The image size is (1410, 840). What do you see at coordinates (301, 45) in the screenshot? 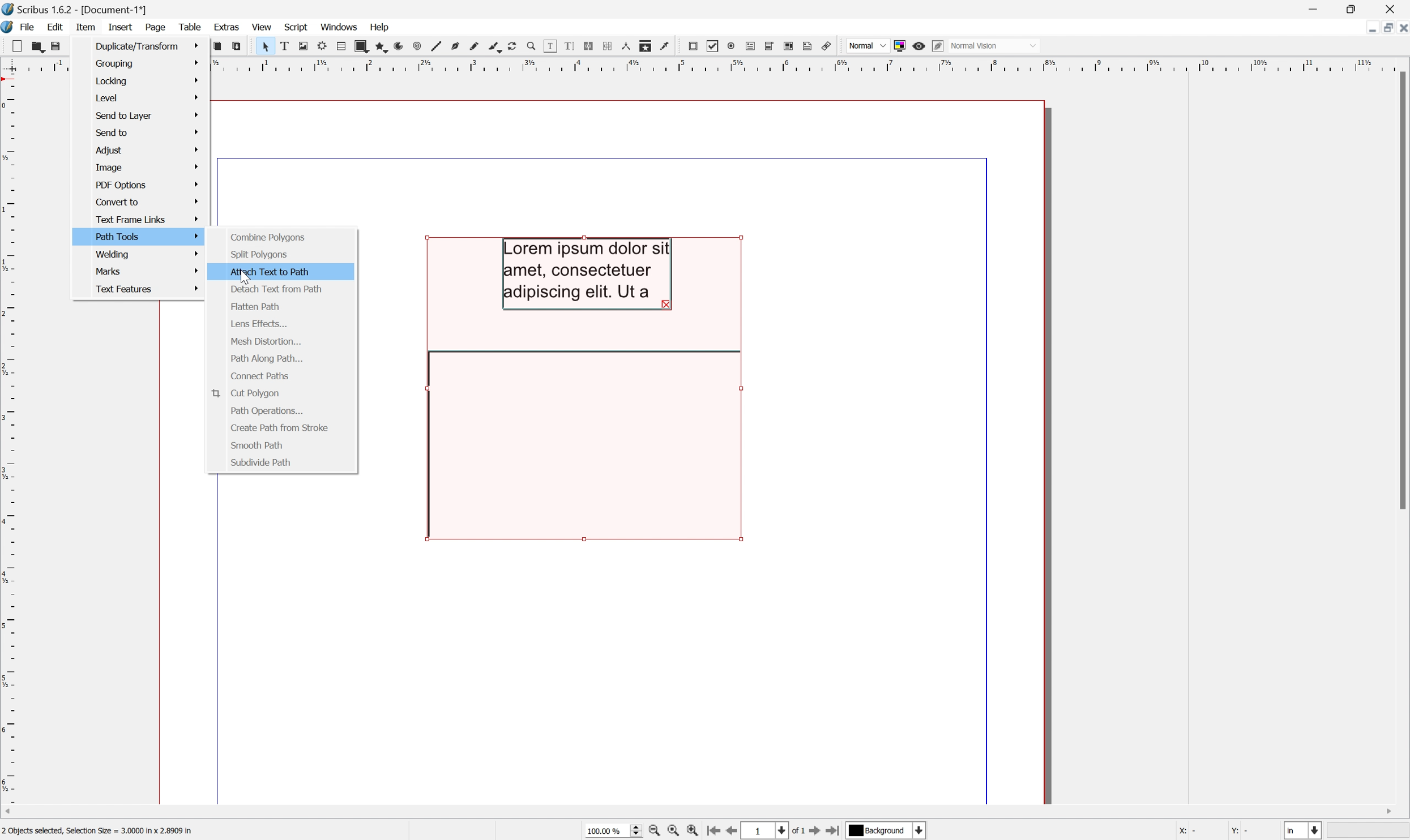
I see `Image frame` at bounding box center [301, 45].